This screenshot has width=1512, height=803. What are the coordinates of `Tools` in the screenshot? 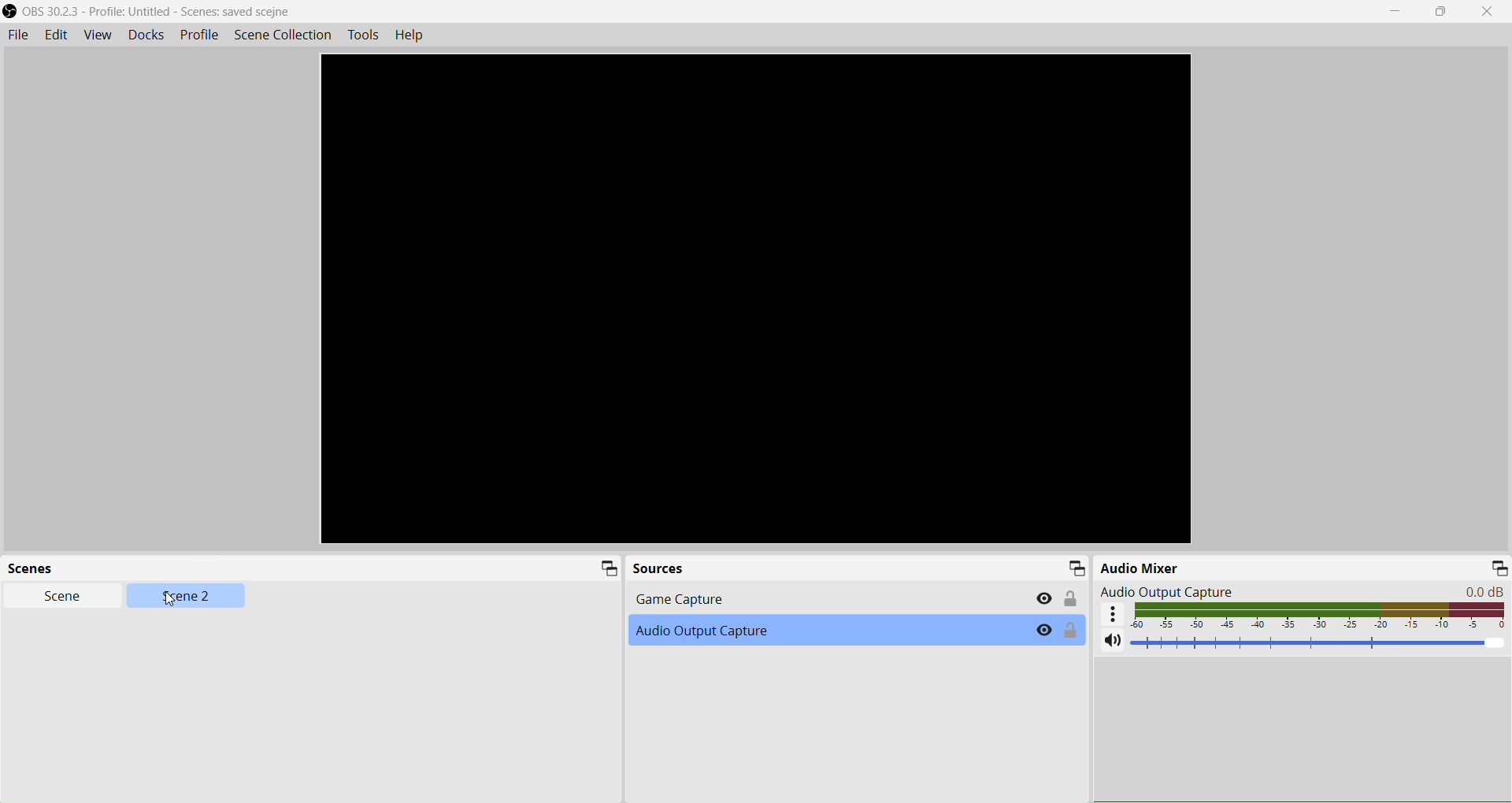 It's located at (363, 35).